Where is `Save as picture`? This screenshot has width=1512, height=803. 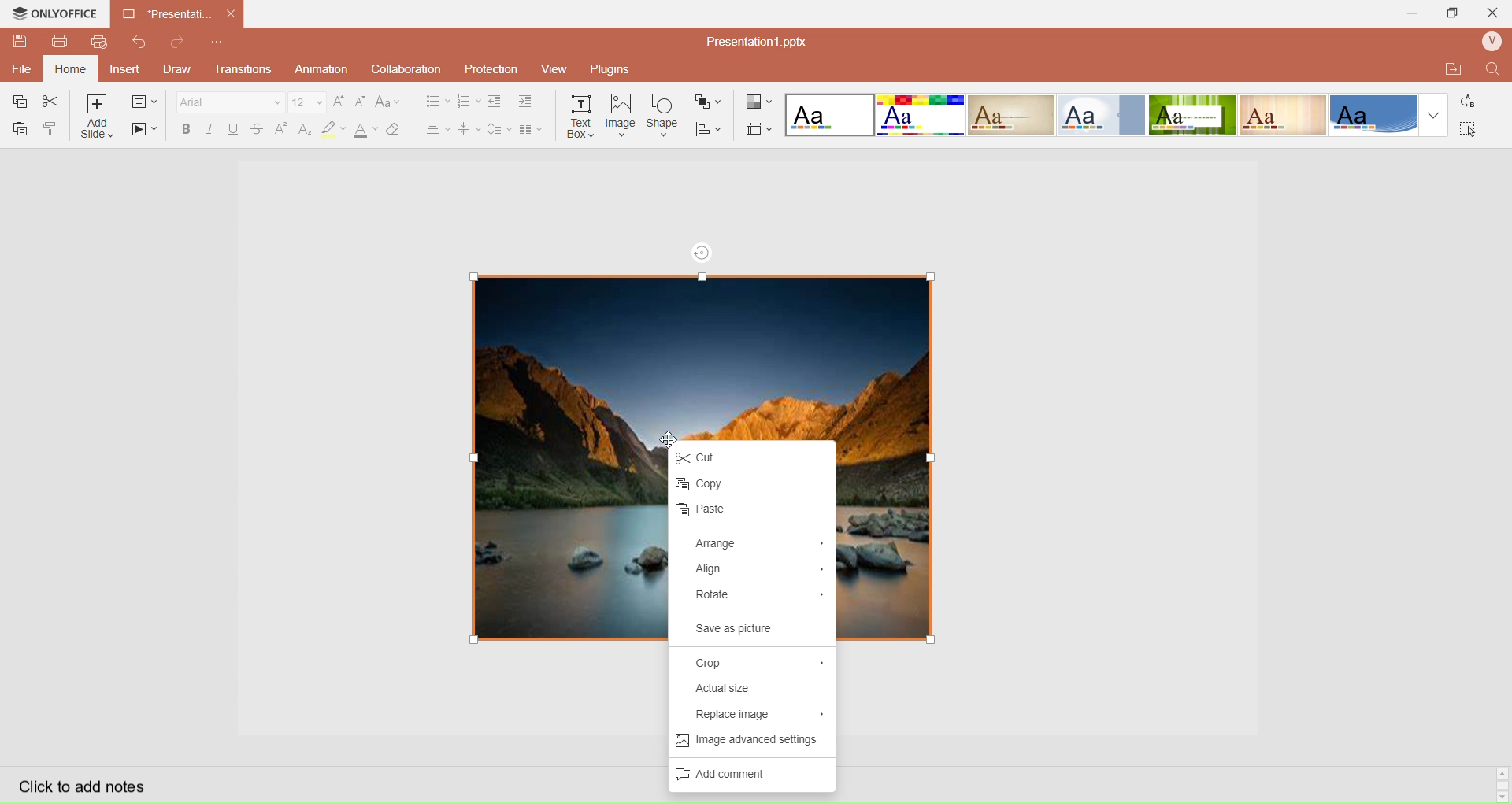
Save as picture is located at coordinates (748, 630).